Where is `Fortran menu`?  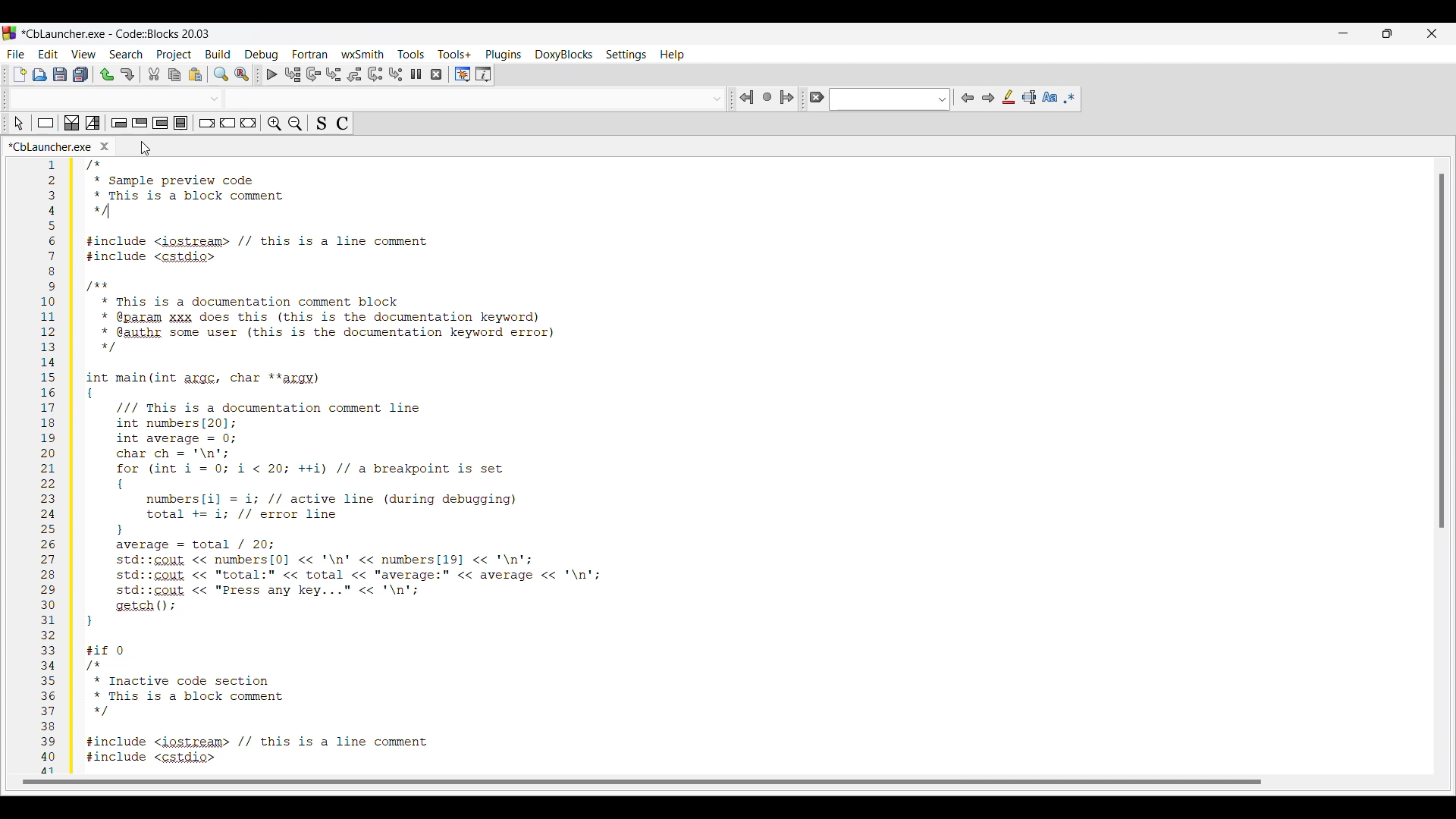 Fortran menu is located at coordinates (309, 54).